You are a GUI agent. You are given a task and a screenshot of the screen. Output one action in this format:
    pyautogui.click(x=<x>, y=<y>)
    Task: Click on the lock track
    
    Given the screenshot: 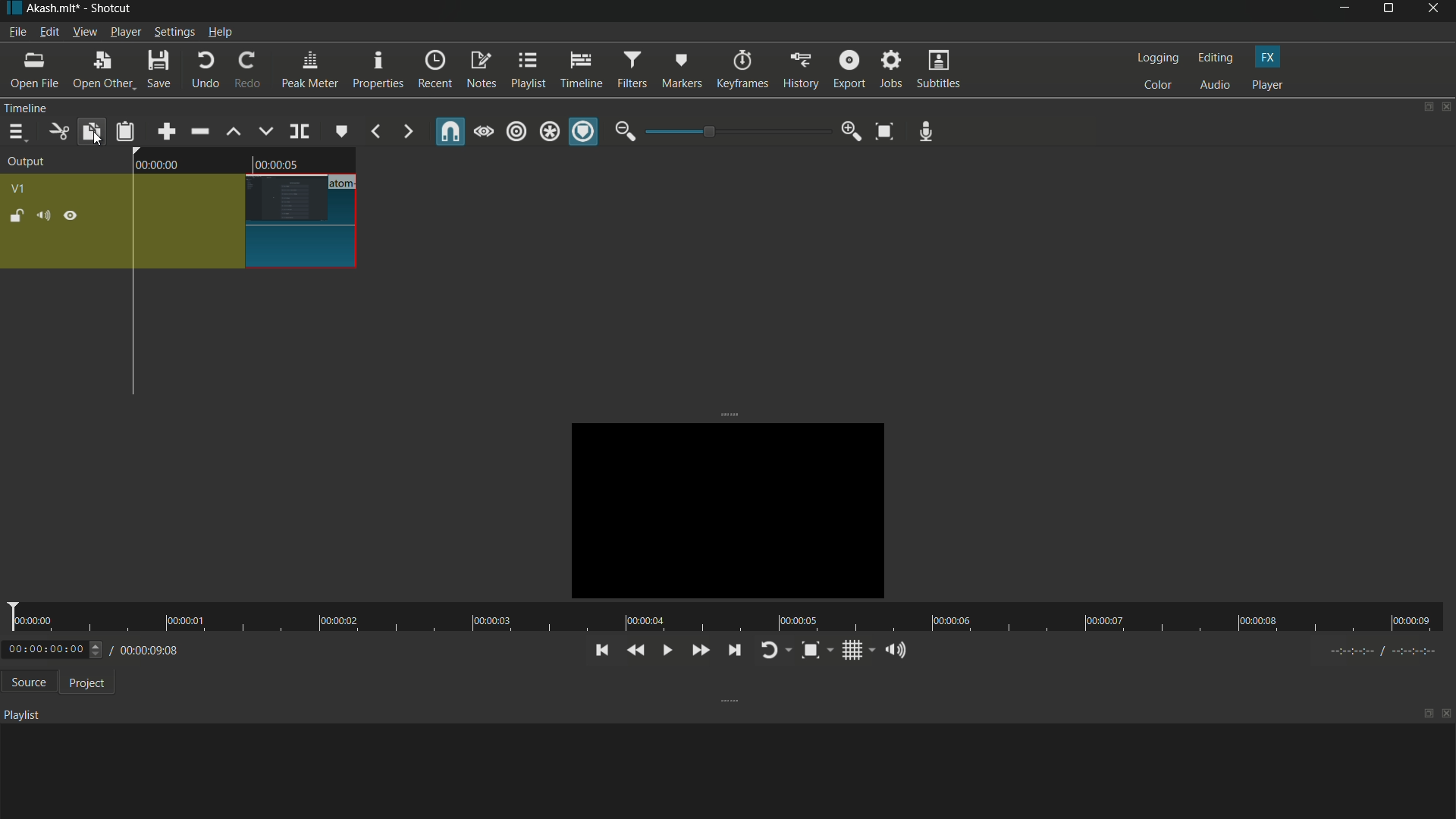 What is the action you would take?
    pyautogui.click(x=14, y=215)
    